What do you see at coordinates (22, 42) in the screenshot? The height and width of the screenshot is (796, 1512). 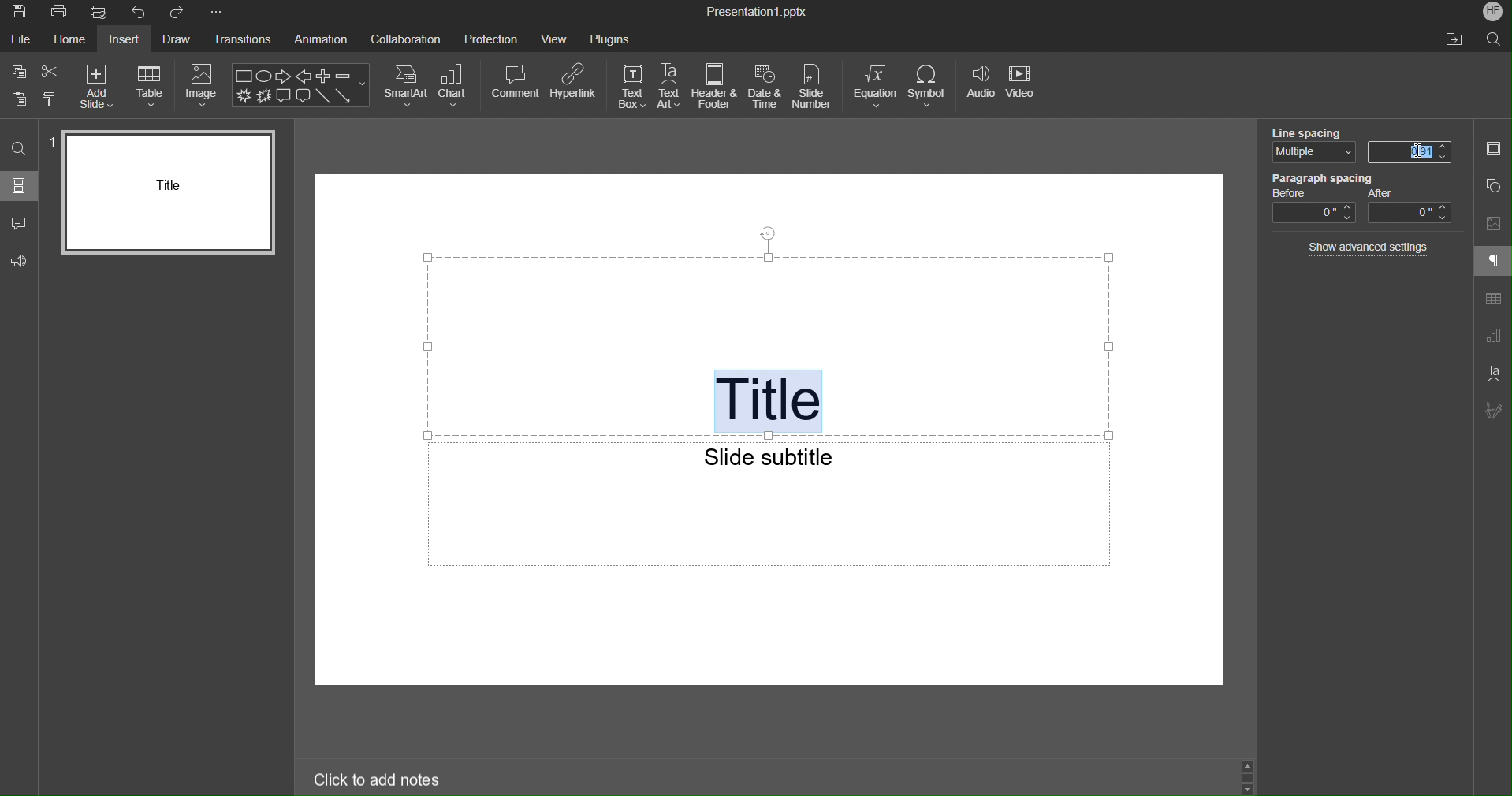 I see `File` at bounding box center [22, 42].